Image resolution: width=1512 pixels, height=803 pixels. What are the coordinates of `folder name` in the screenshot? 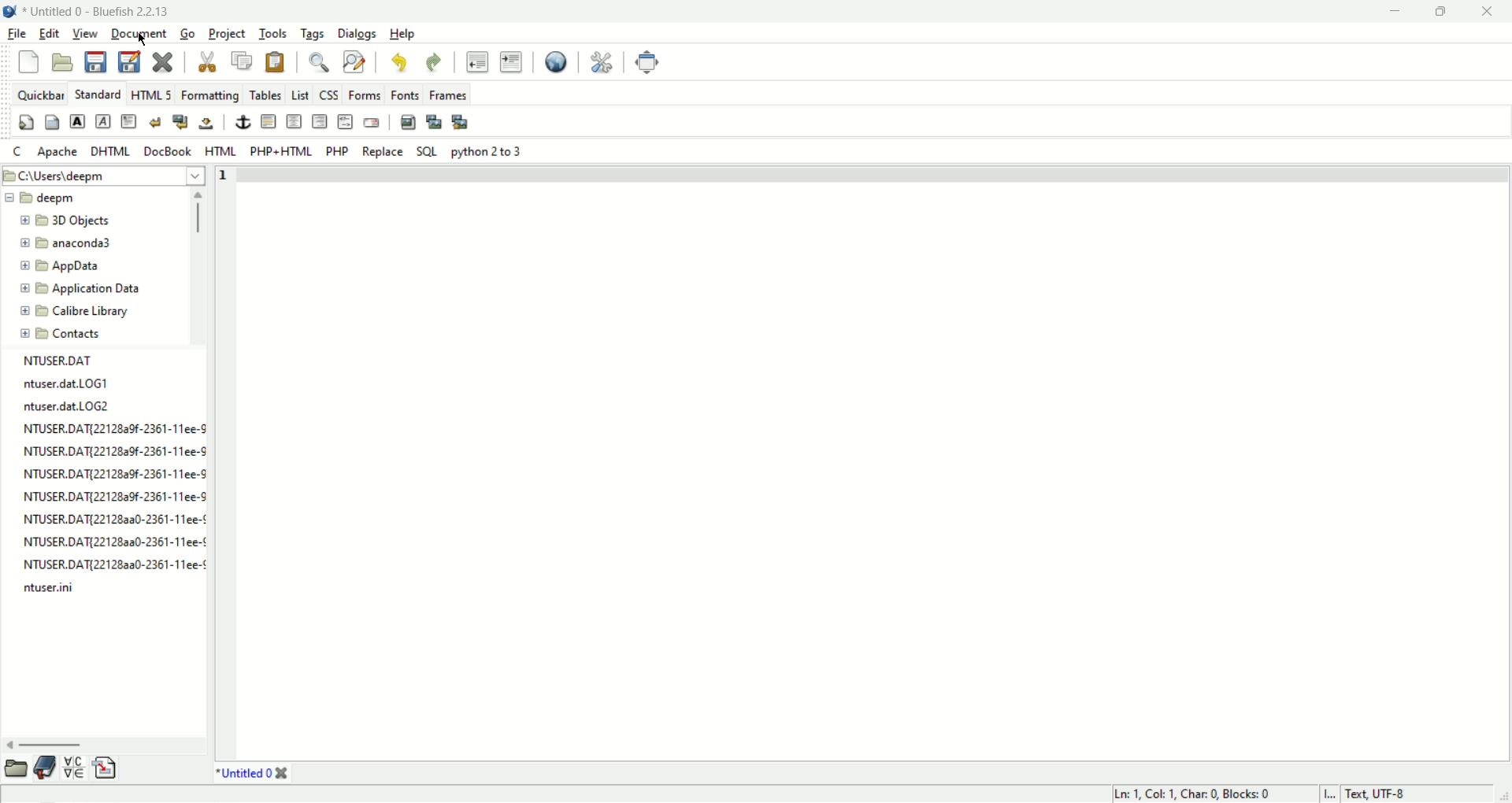 It's located at (64, 242).